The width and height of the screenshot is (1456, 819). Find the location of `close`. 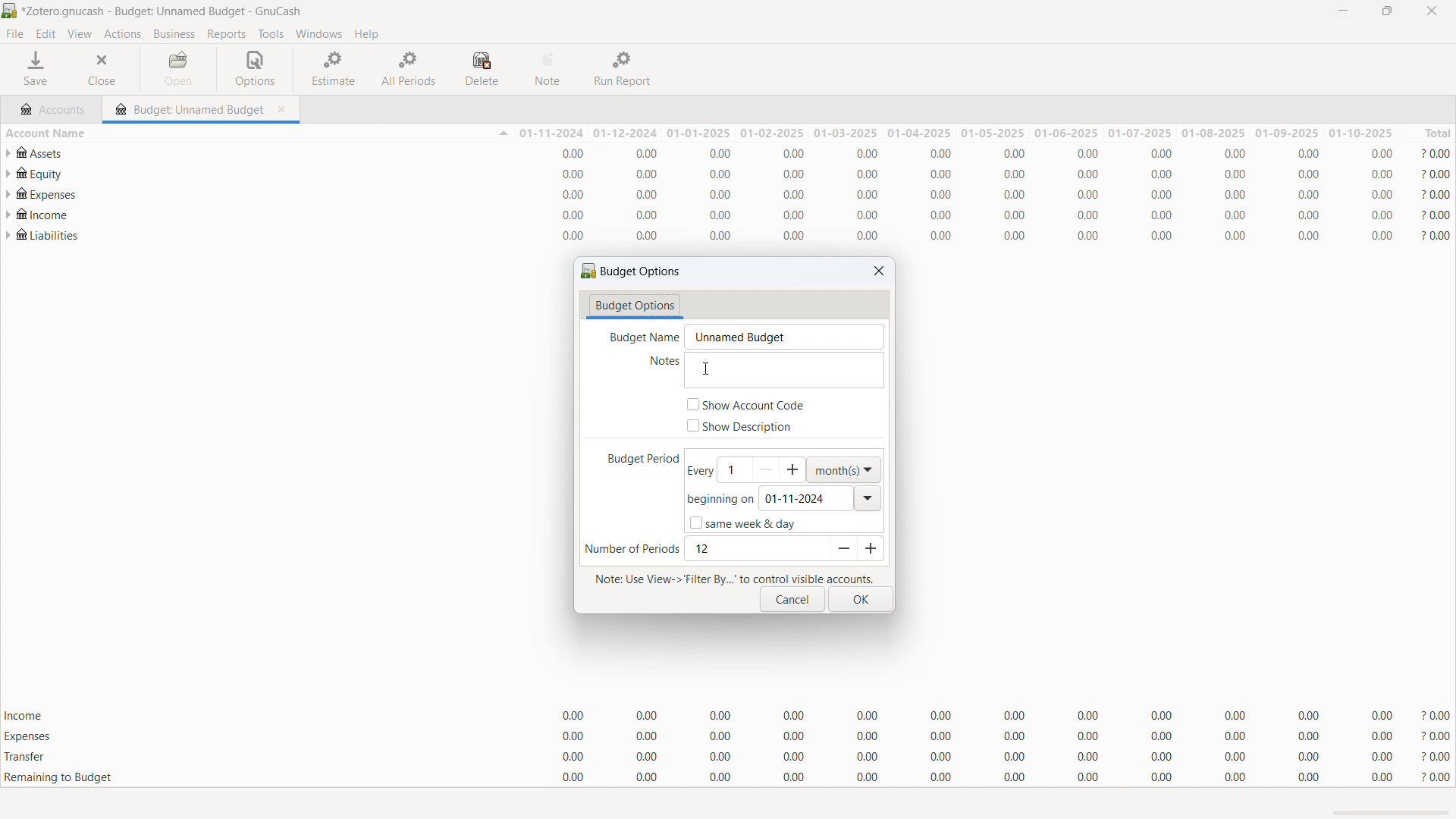

close is located at coordinates (105, 69).